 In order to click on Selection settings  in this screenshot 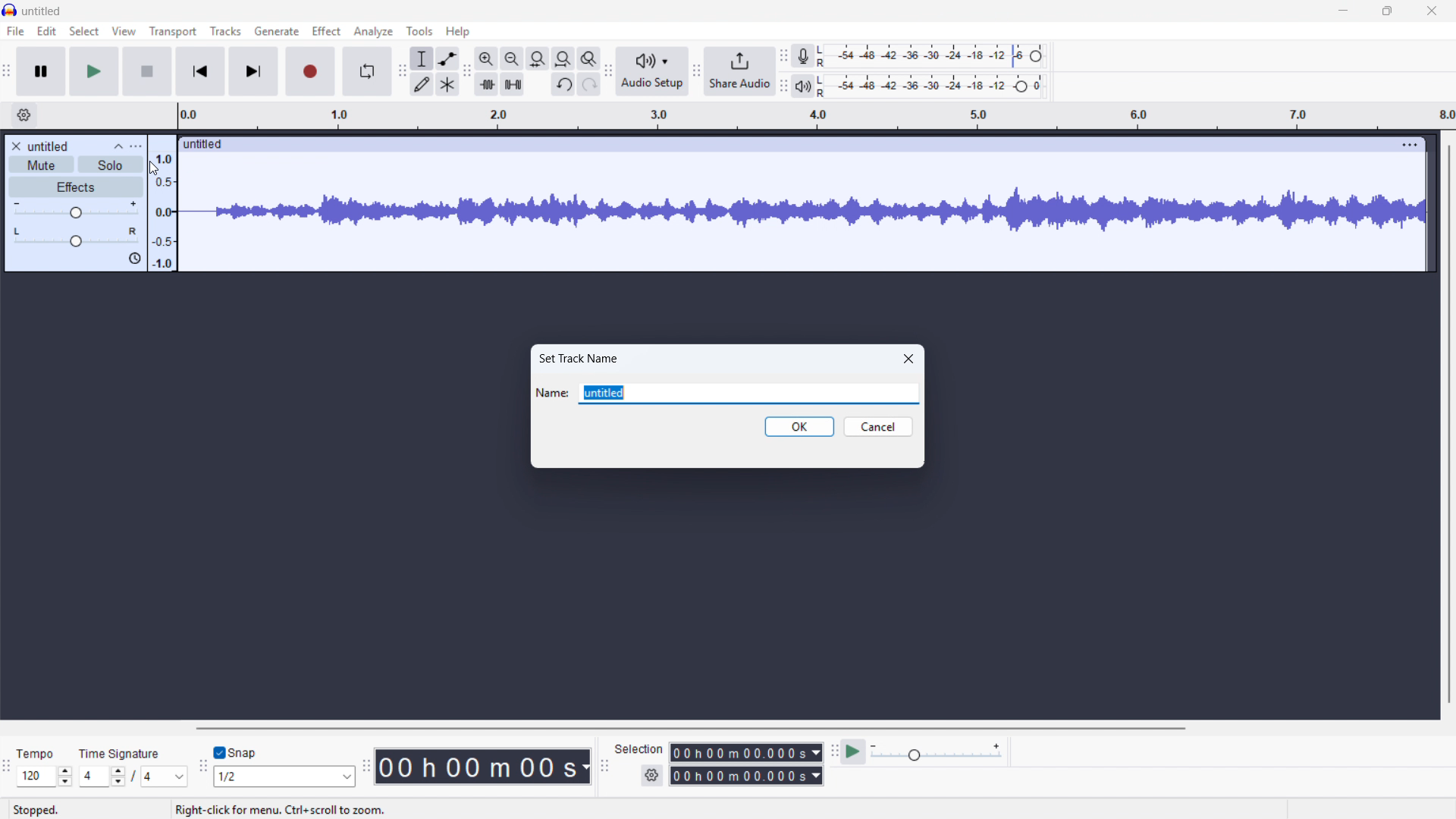, I will do `click(652, 775)`.